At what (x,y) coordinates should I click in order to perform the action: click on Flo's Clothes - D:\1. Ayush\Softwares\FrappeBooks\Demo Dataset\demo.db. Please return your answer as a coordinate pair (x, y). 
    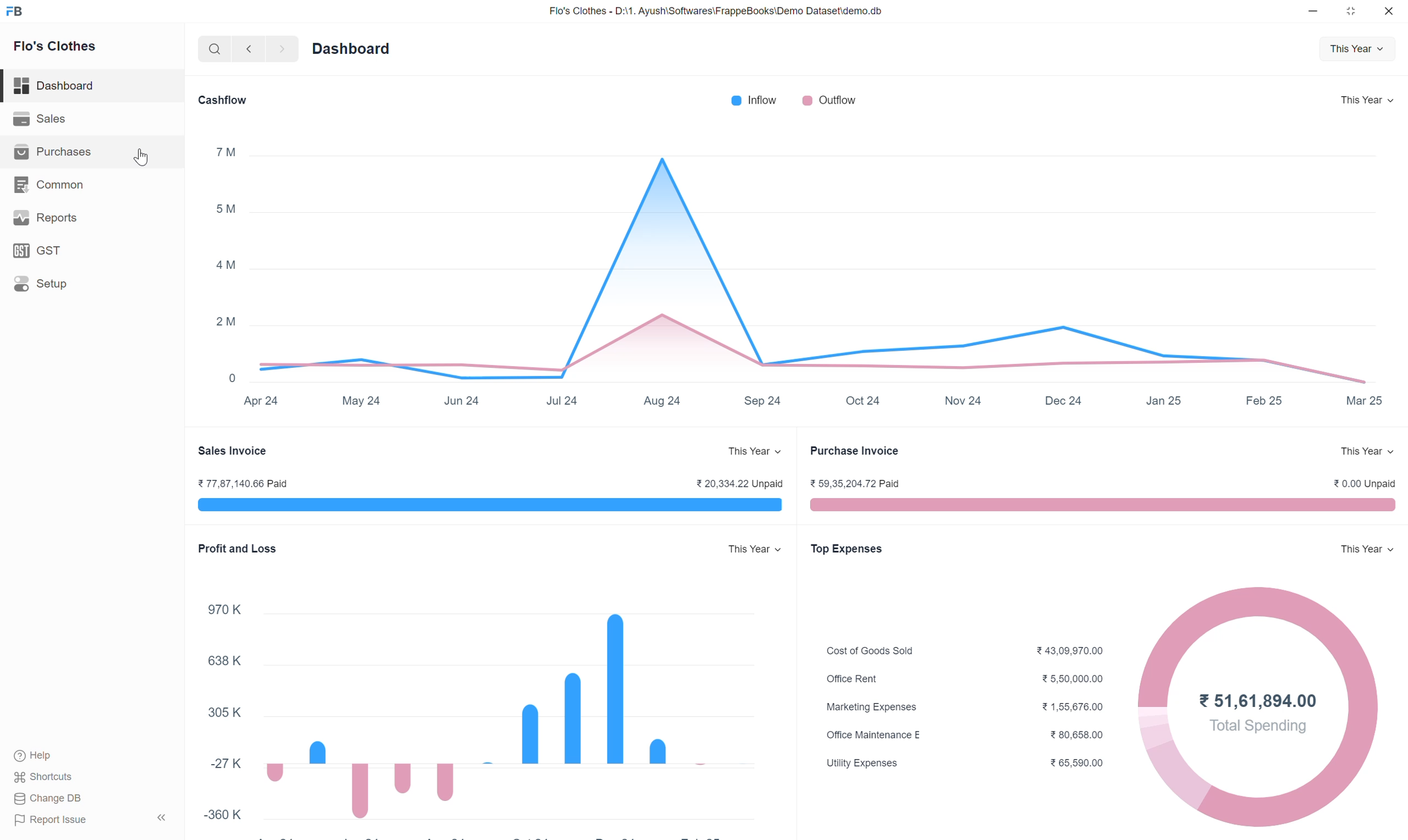
    Looking at the image, I should click on (716, 11).